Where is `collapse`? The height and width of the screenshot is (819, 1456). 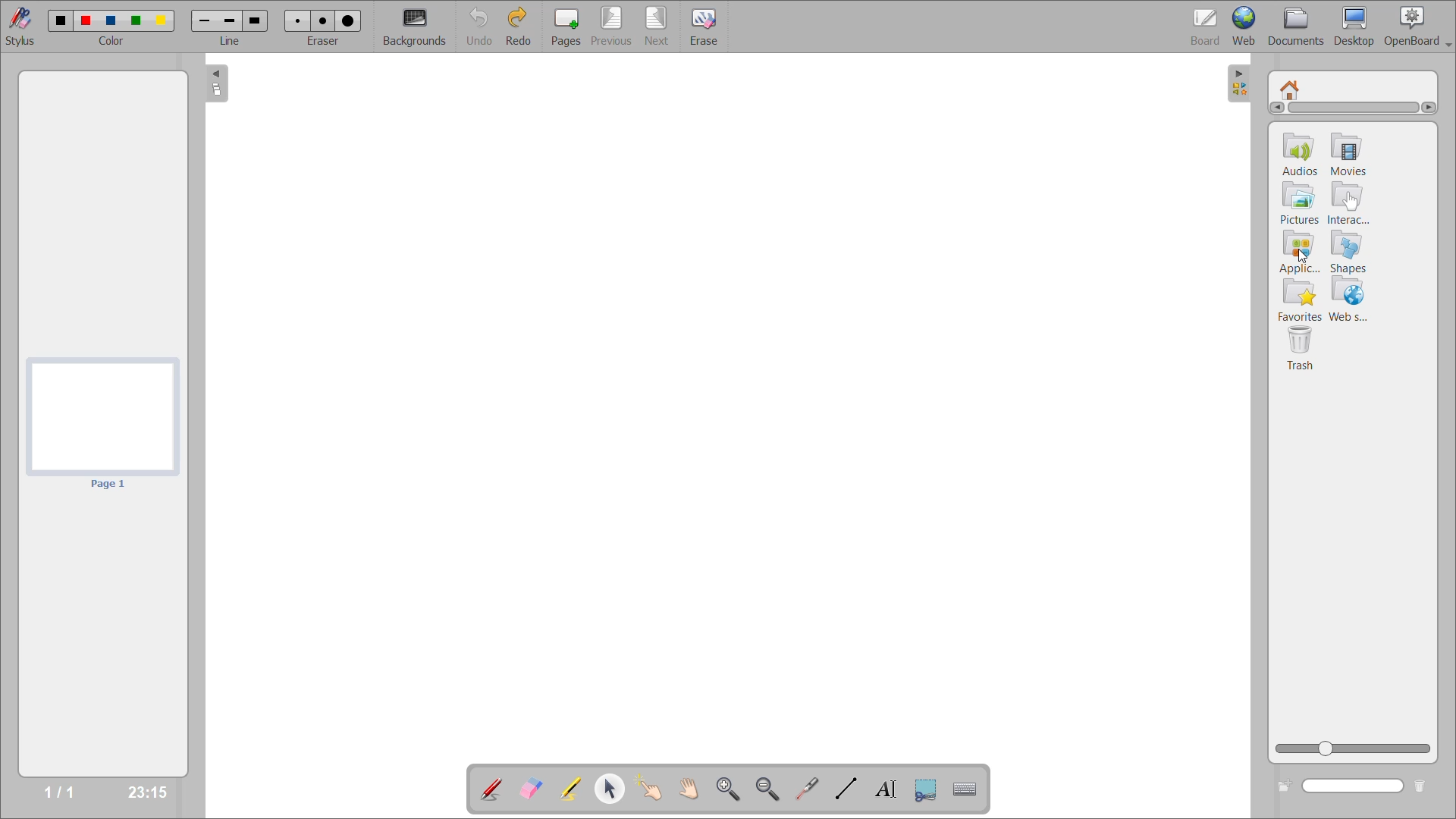 collapse is located at coordinates (1241, 84).